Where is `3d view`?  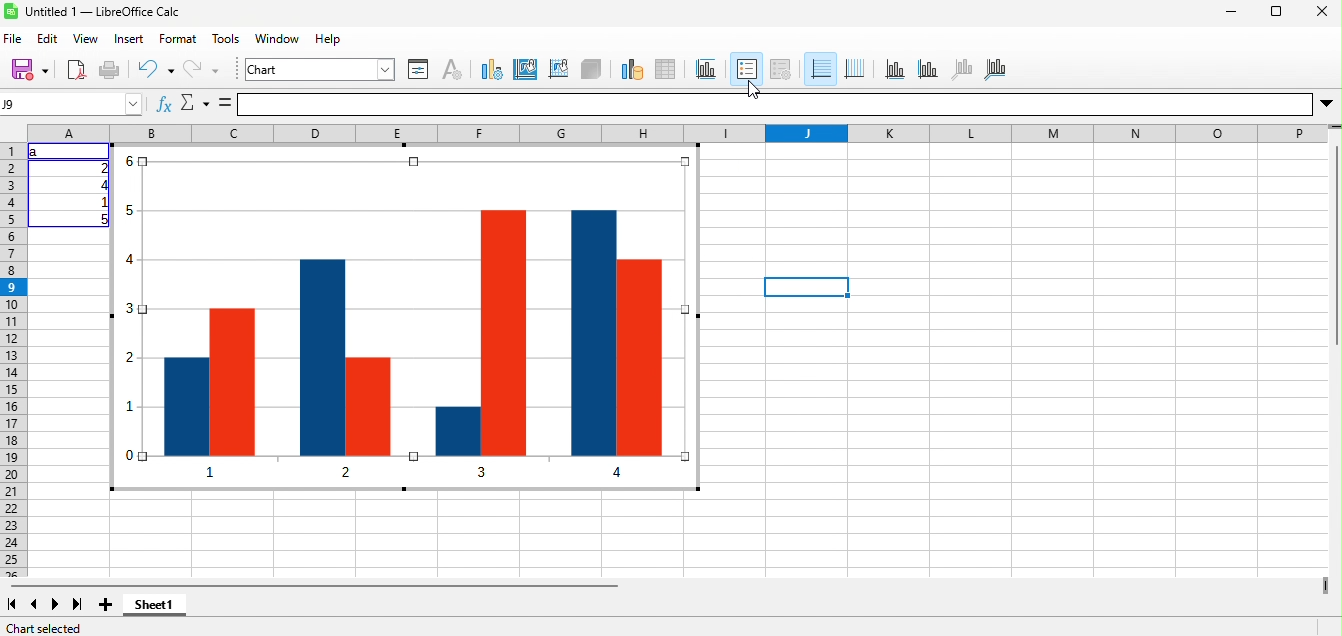
3d view is located at coordinates (592, 70).